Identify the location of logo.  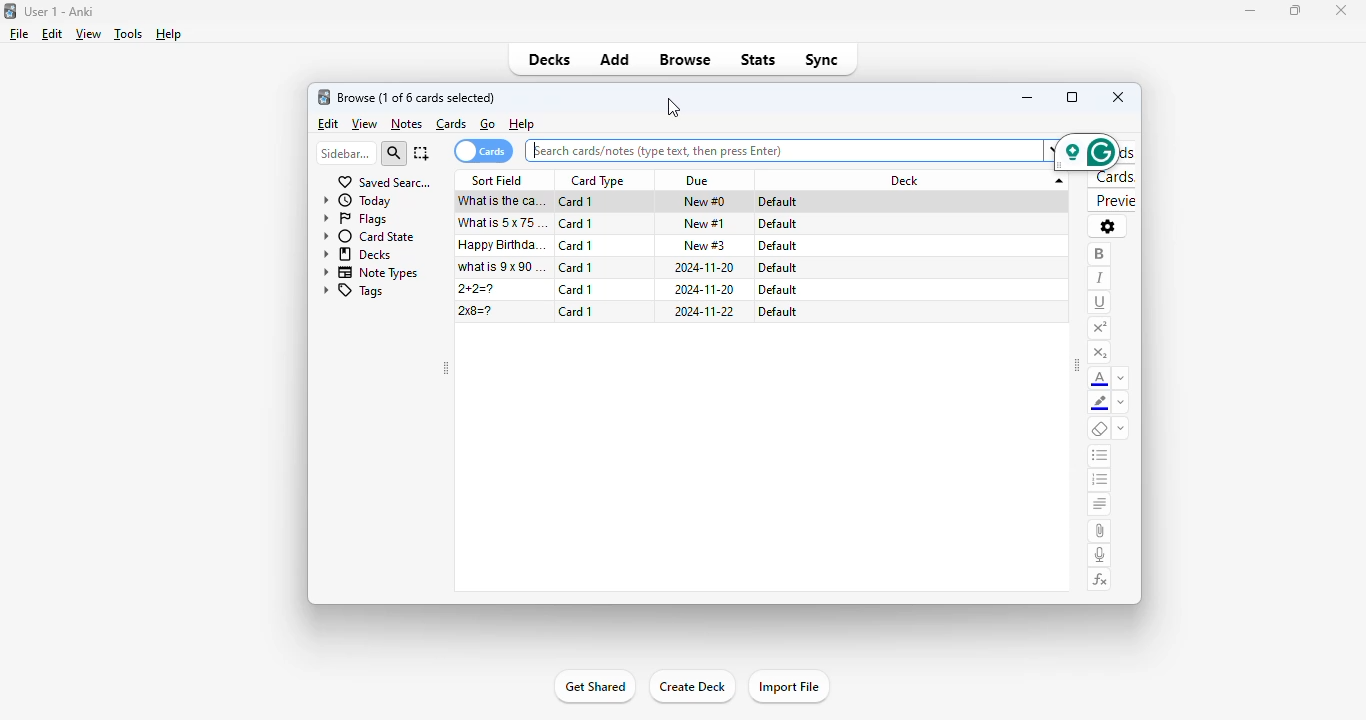
(323, 96).